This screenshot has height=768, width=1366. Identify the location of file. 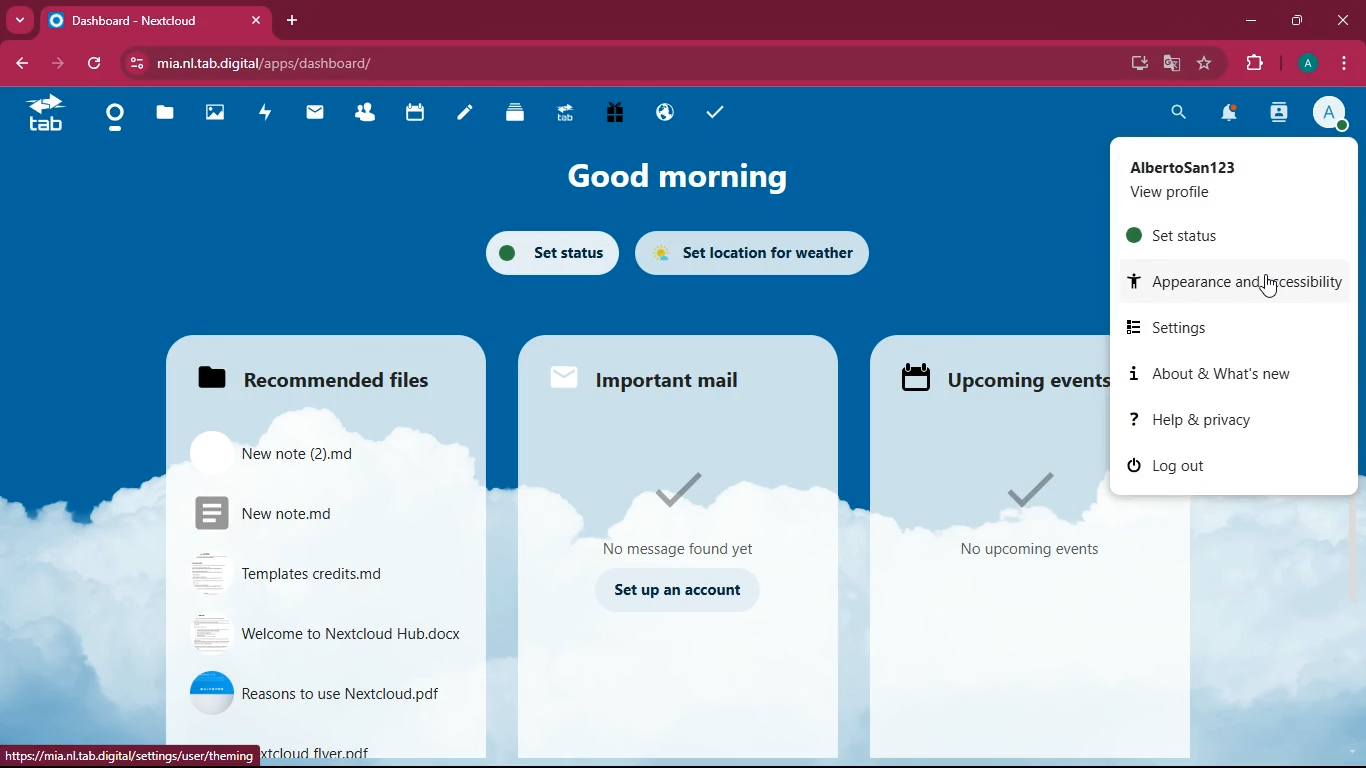
(316, 516).